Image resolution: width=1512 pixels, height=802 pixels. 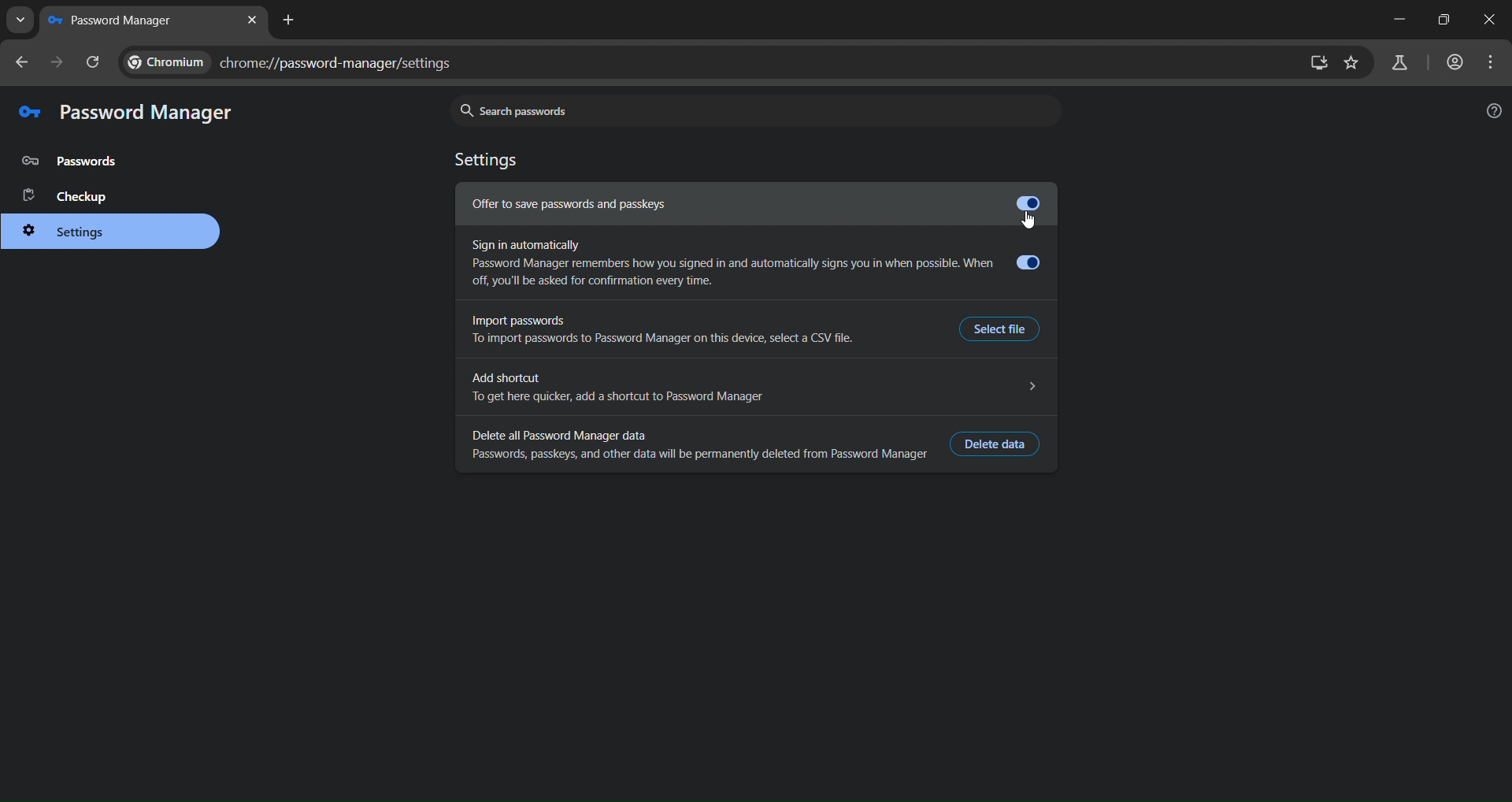 What do you see at coordinates (64, 196) in the screenshot?
I see `checkup` at bounding box center [64, 196].